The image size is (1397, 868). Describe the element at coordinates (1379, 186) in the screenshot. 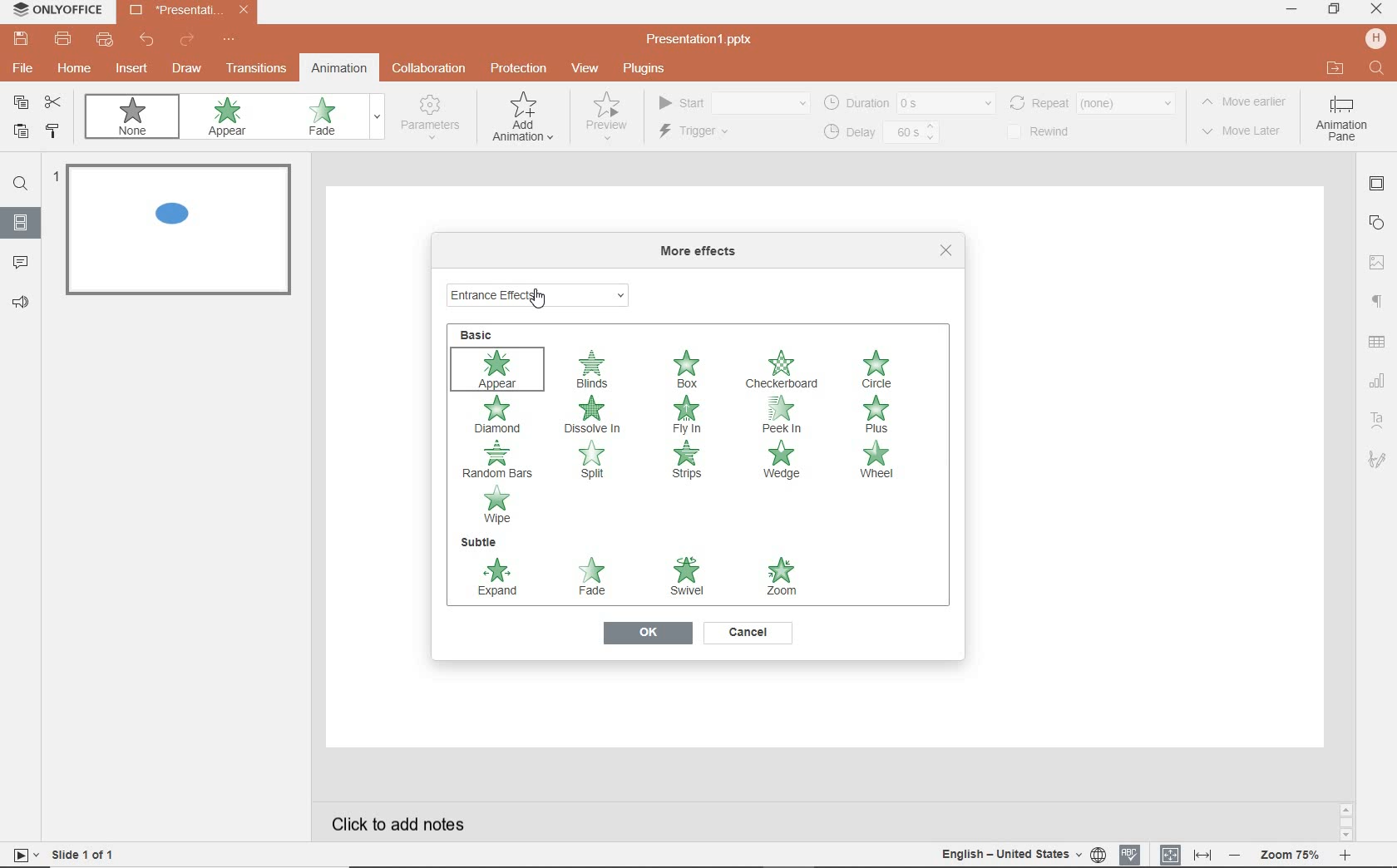

I see `slide settings` at that location.